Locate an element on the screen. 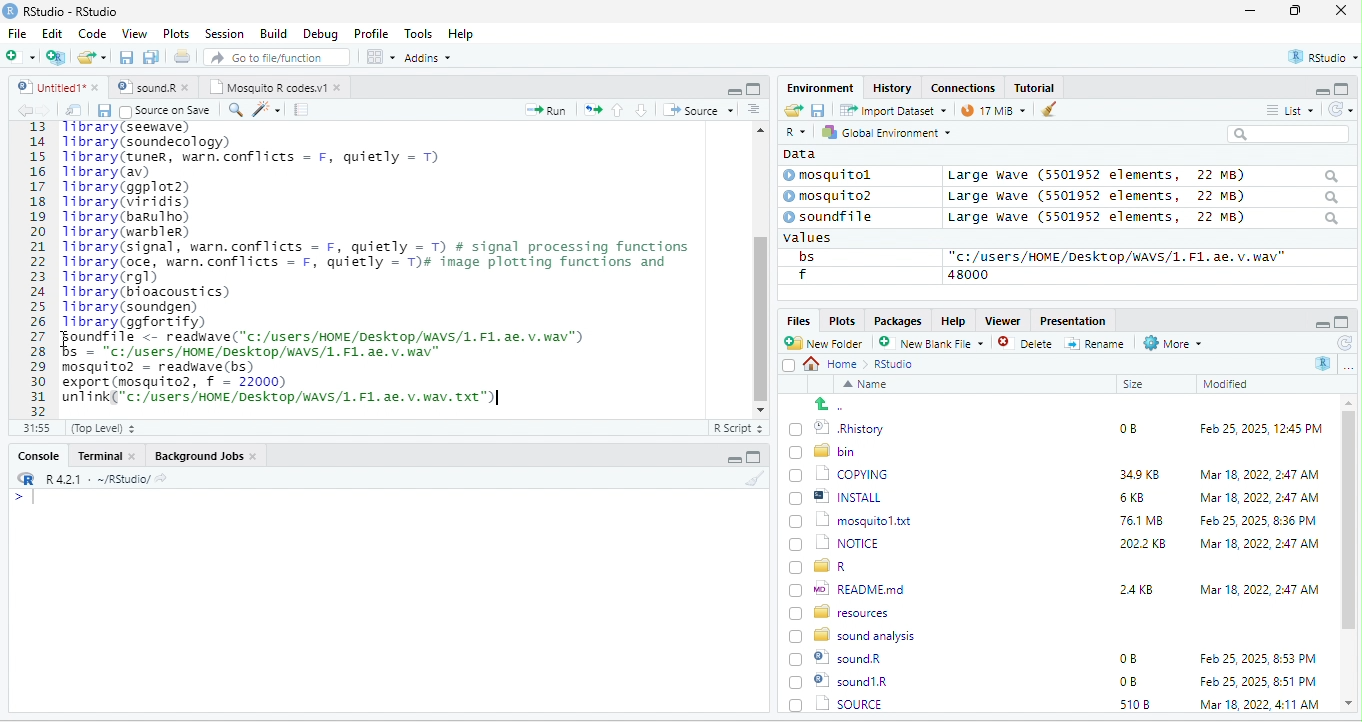 The width and height of the screenshot is (1362, 722). Modified is located at coordinates (1227, 384).